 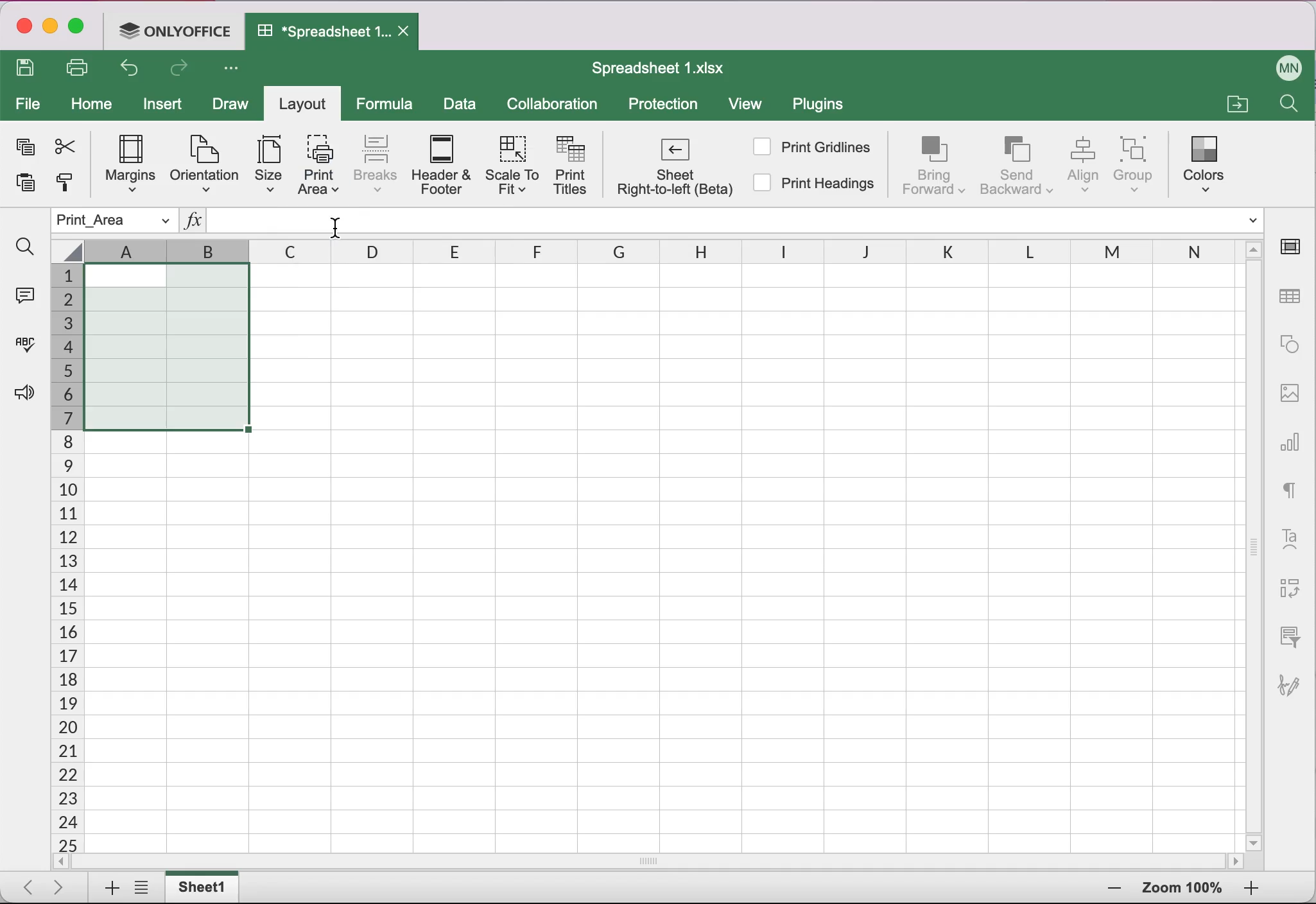 I want to click on Orientation, so click(x=203, y=163).